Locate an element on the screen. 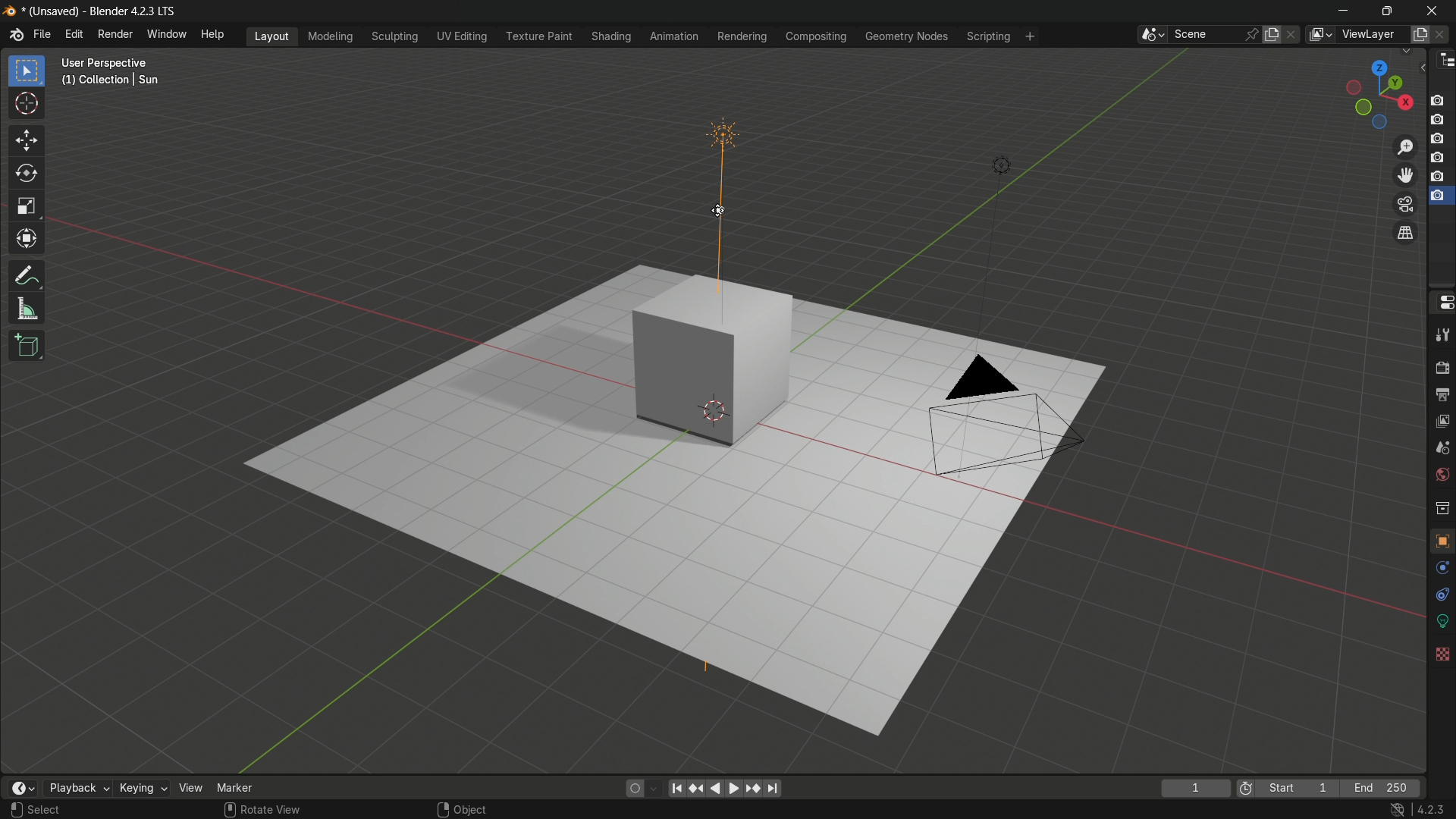 This screenshot has height=819, width=1456. file menu is located at coordinates (42, 34).